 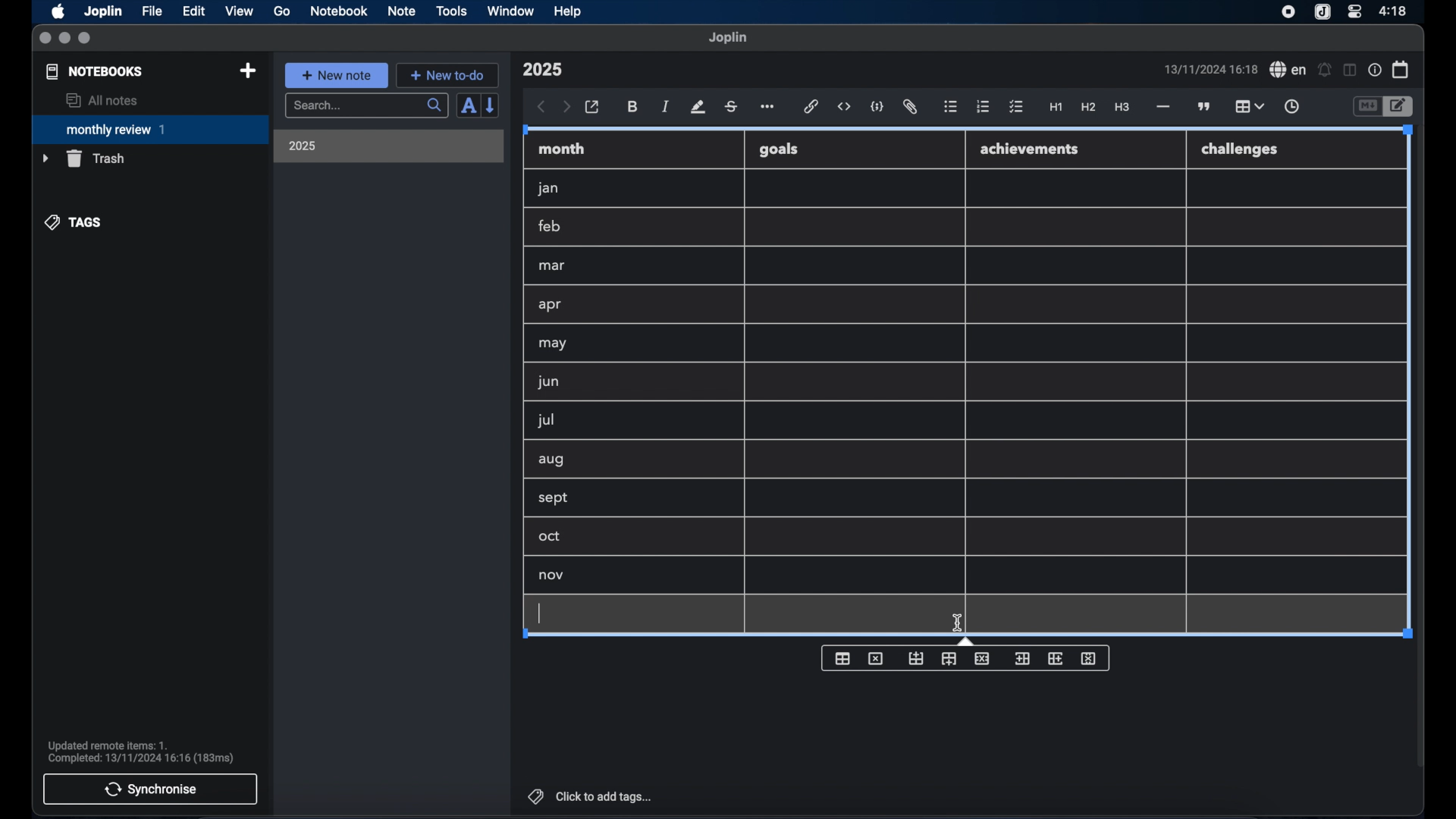 I want to click on table highlighted, so click(x=1247, y=106).